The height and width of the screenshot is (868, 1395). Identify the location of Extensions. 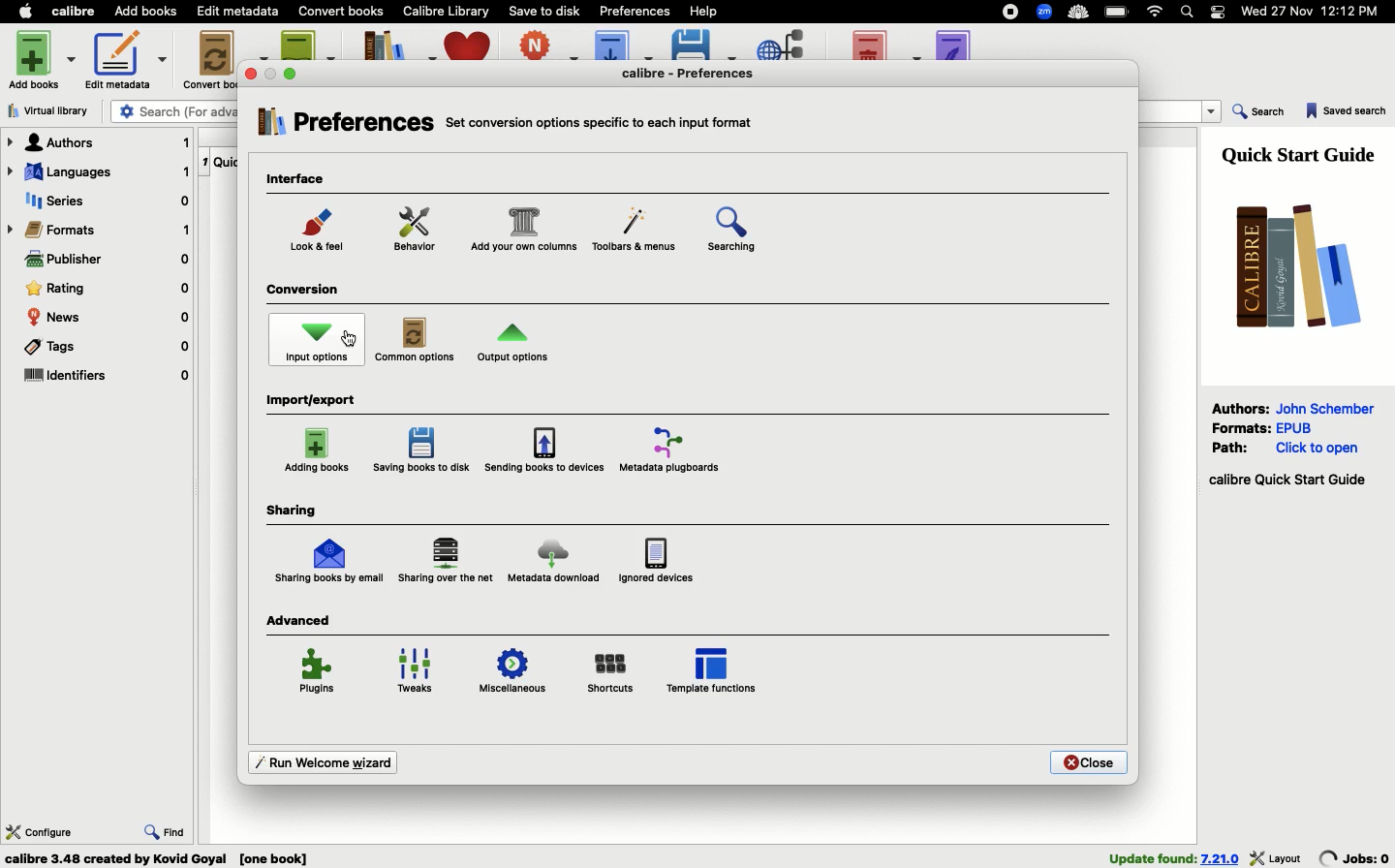
(1046, 14).